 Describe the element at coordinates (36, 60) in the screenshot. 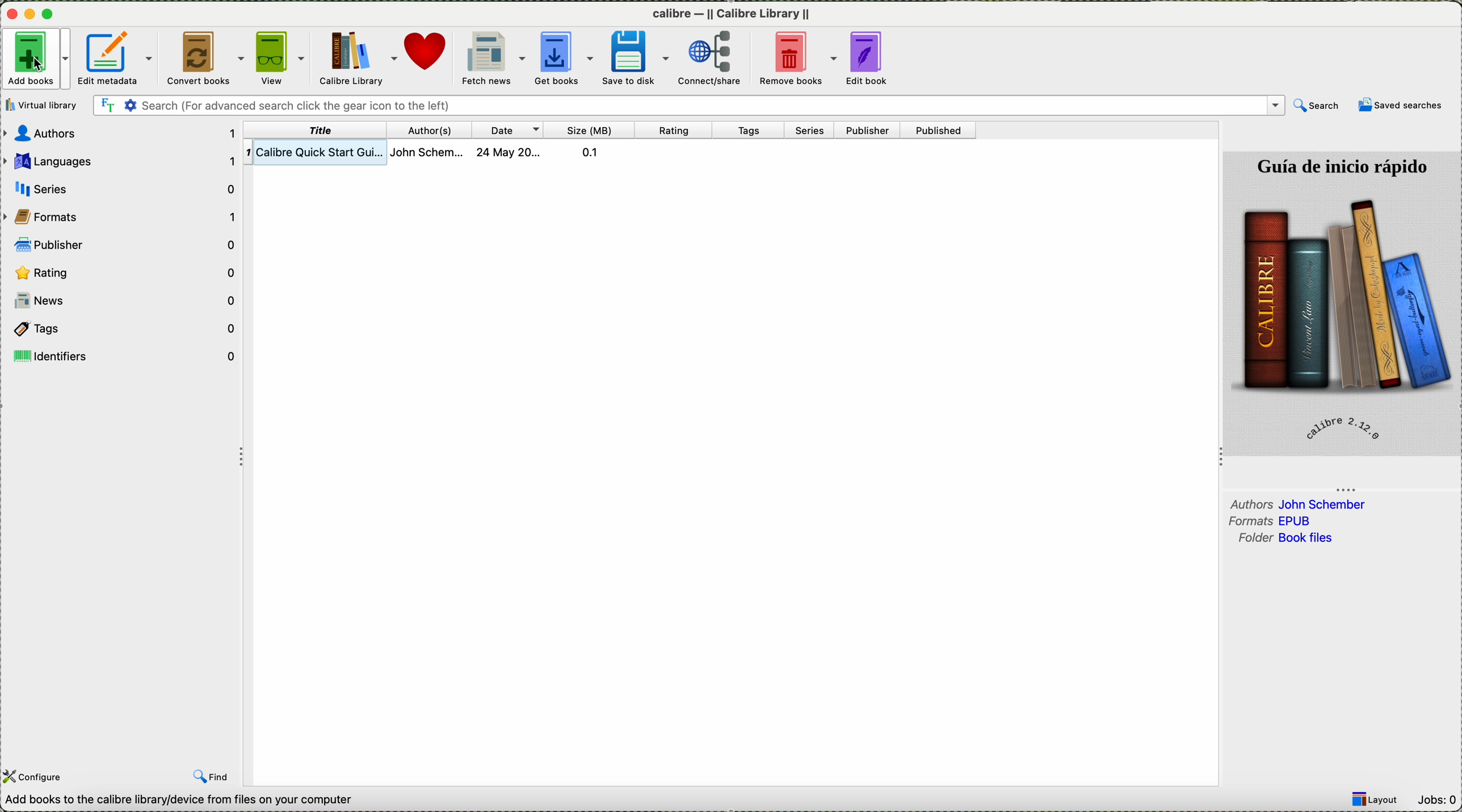

I see `click on add books` at that location.